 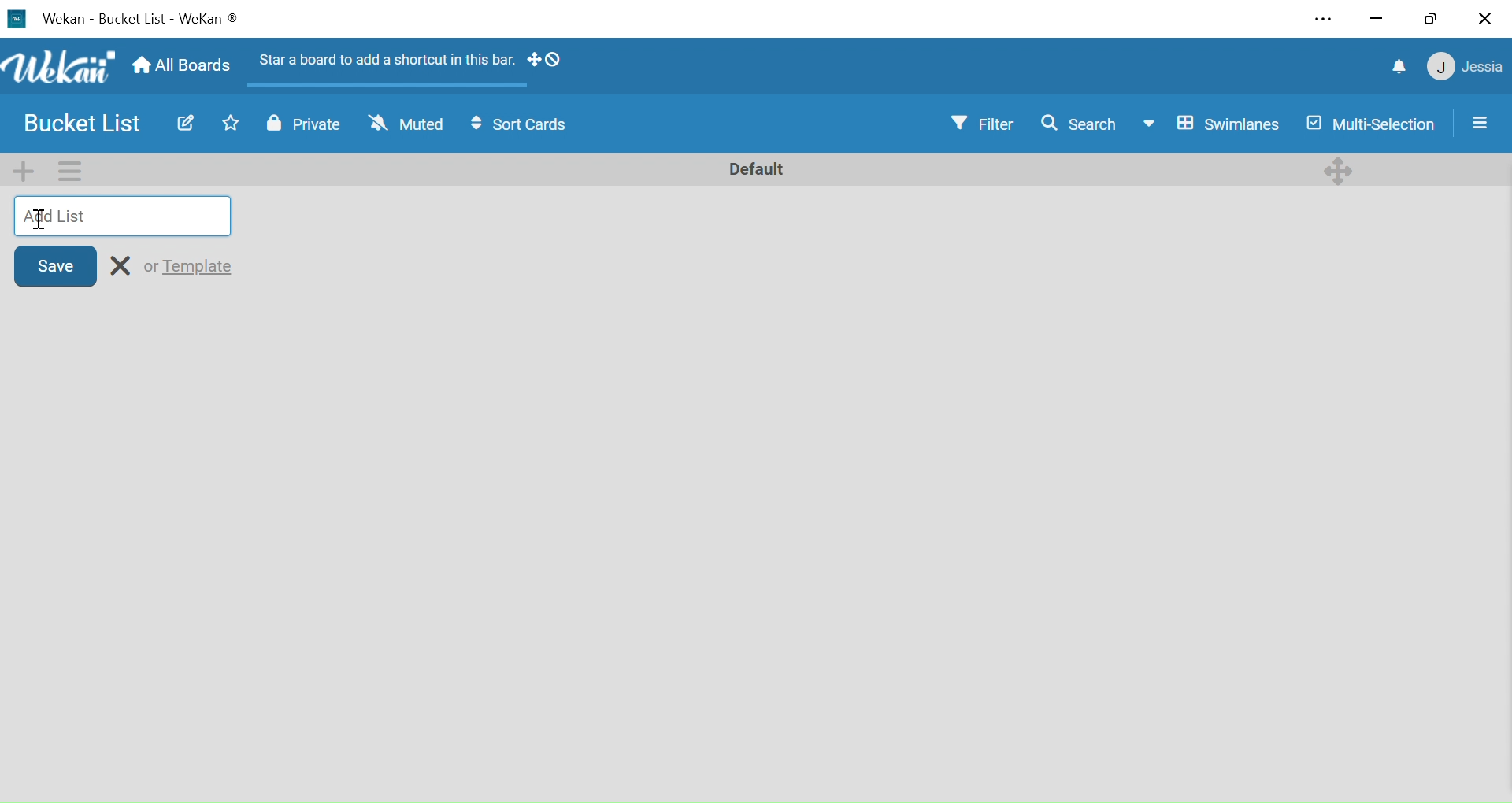 I want to click on Settings and more, so click(x=1327, y=20).